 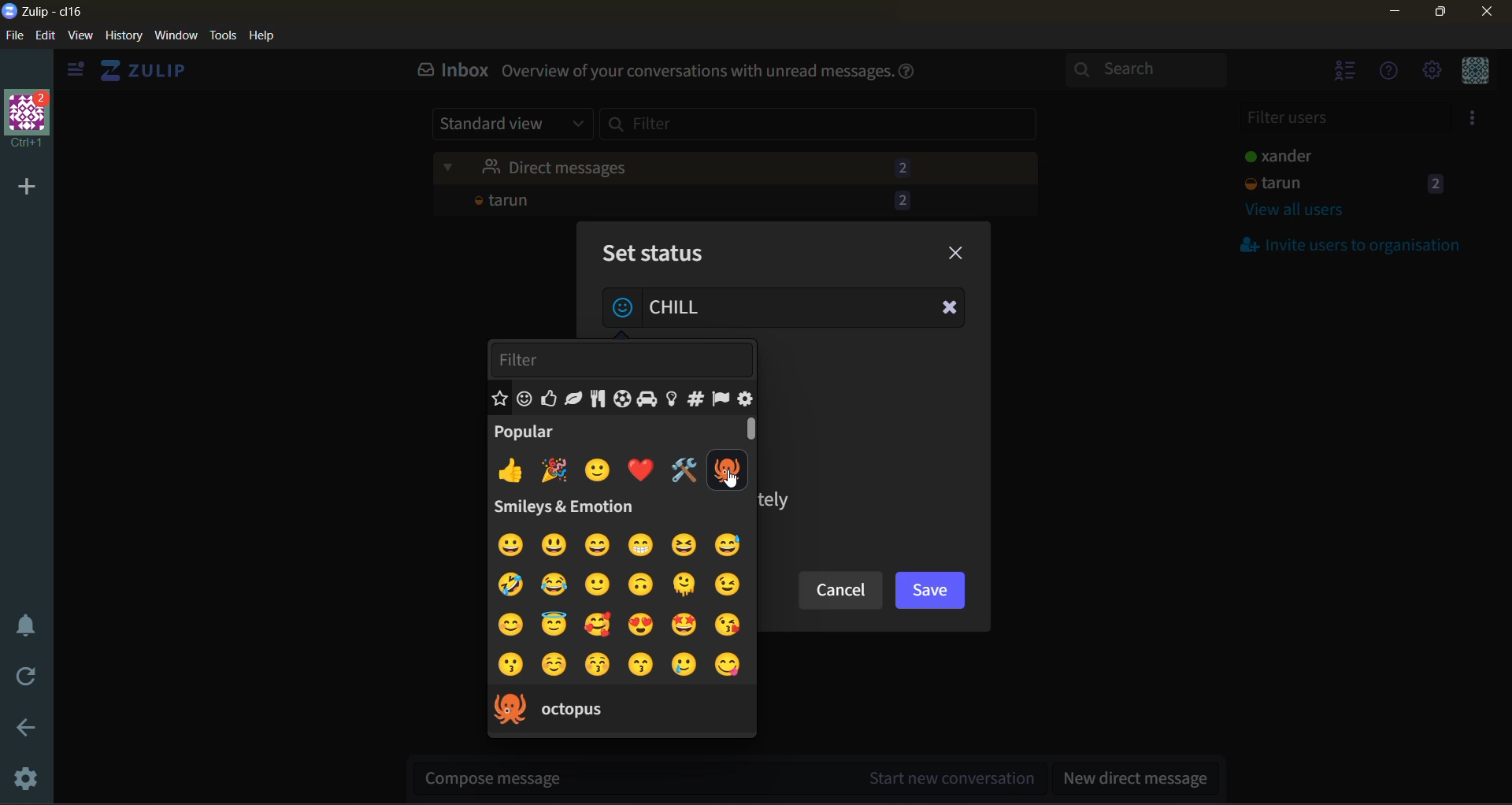 What do you see at coordinates (730, 623) in the screenshot?
I see `emoji` at bounding box center [730, 623].